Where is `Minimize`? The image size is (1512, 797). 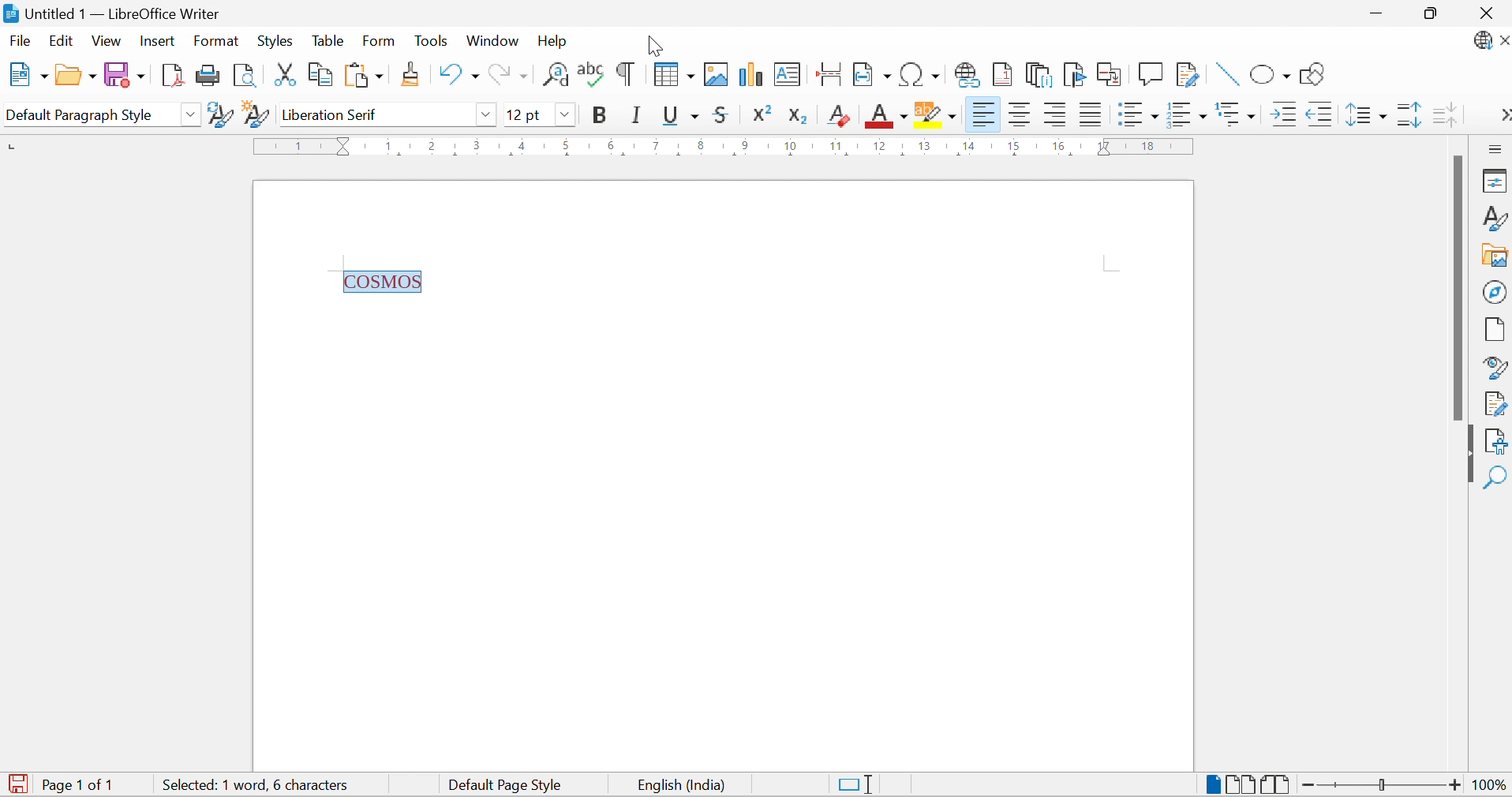
Minimize is located at coordinates (1371, 13).